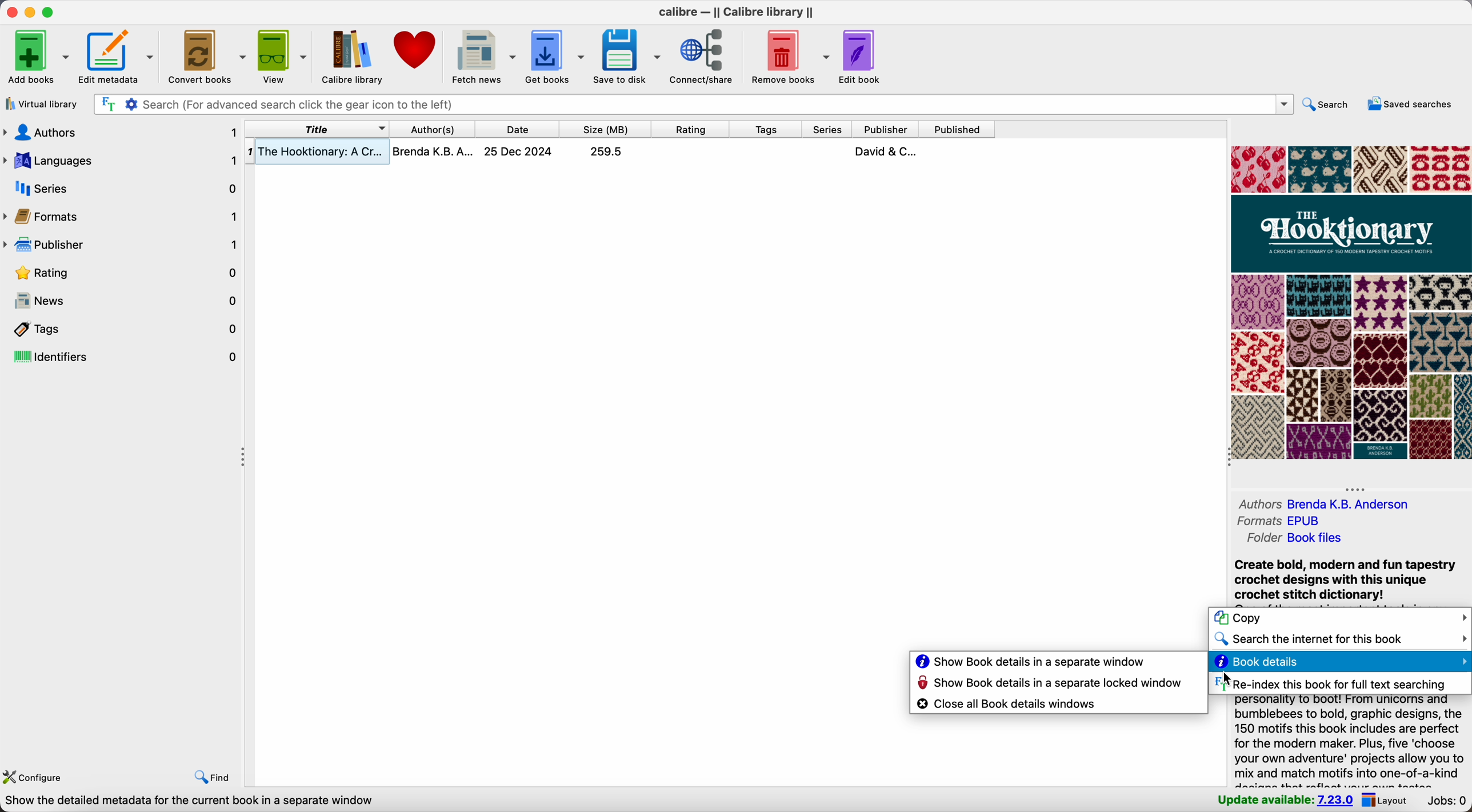  Describe the element at coordinates (9, 13) in the screenshot. I see `close` at that location.